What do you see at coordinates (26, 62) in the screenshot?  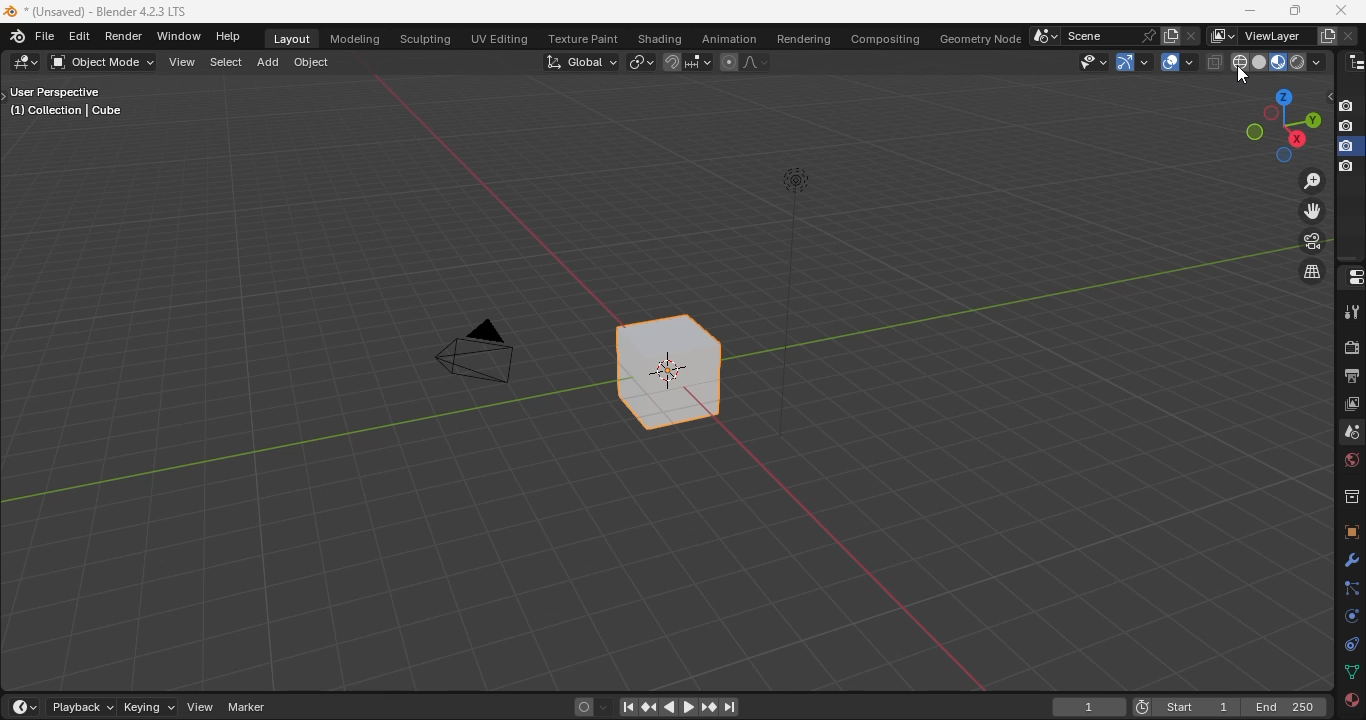 I see `editor type: 3D viewport` at bounding box center [26, 62].